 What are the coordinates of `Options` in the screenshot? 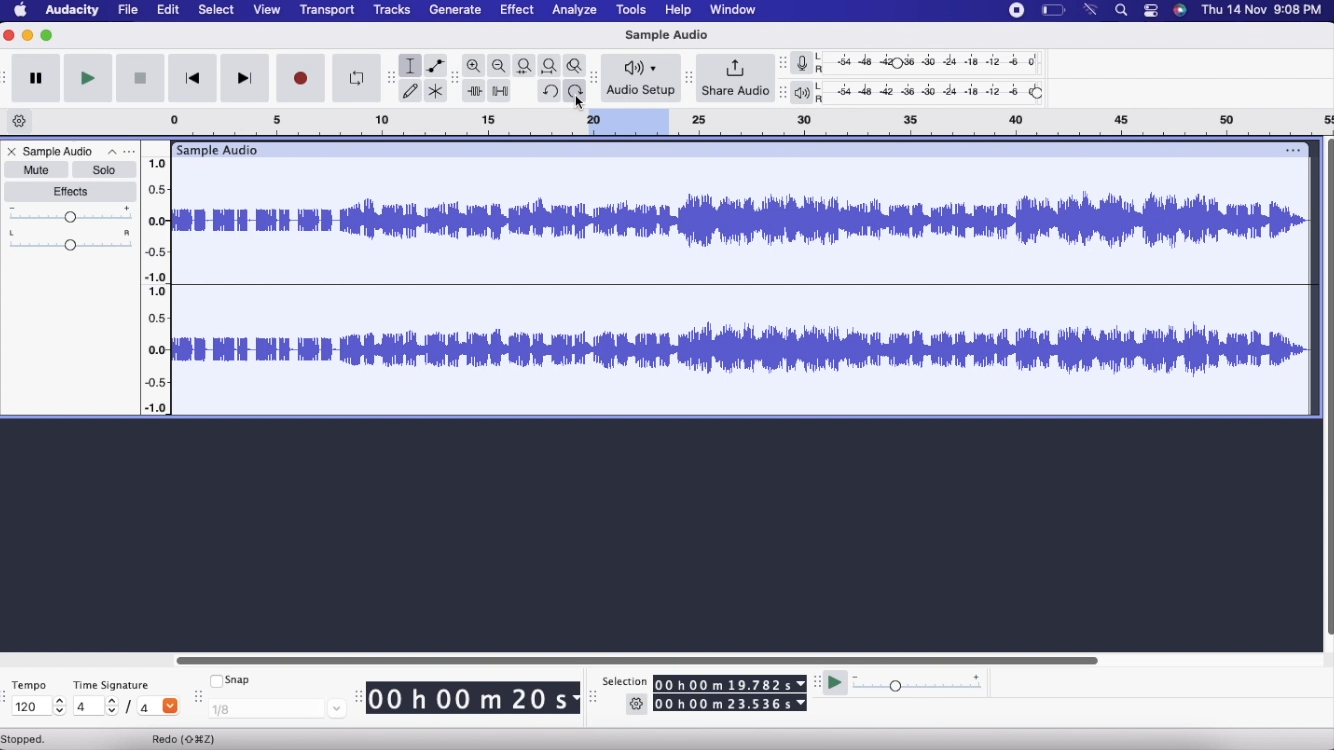 It's located at (121, 152).